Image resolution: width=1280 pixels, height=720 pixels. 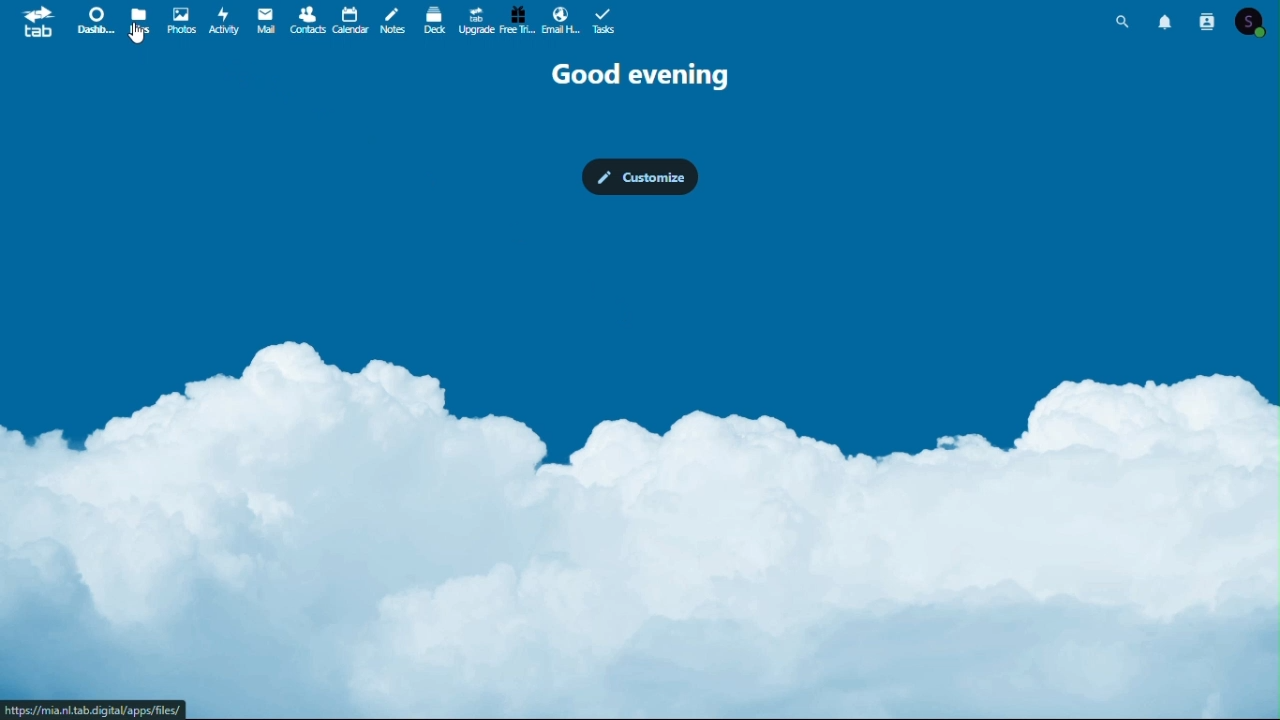 I want to click on tasks, so click(x=603, y=19).